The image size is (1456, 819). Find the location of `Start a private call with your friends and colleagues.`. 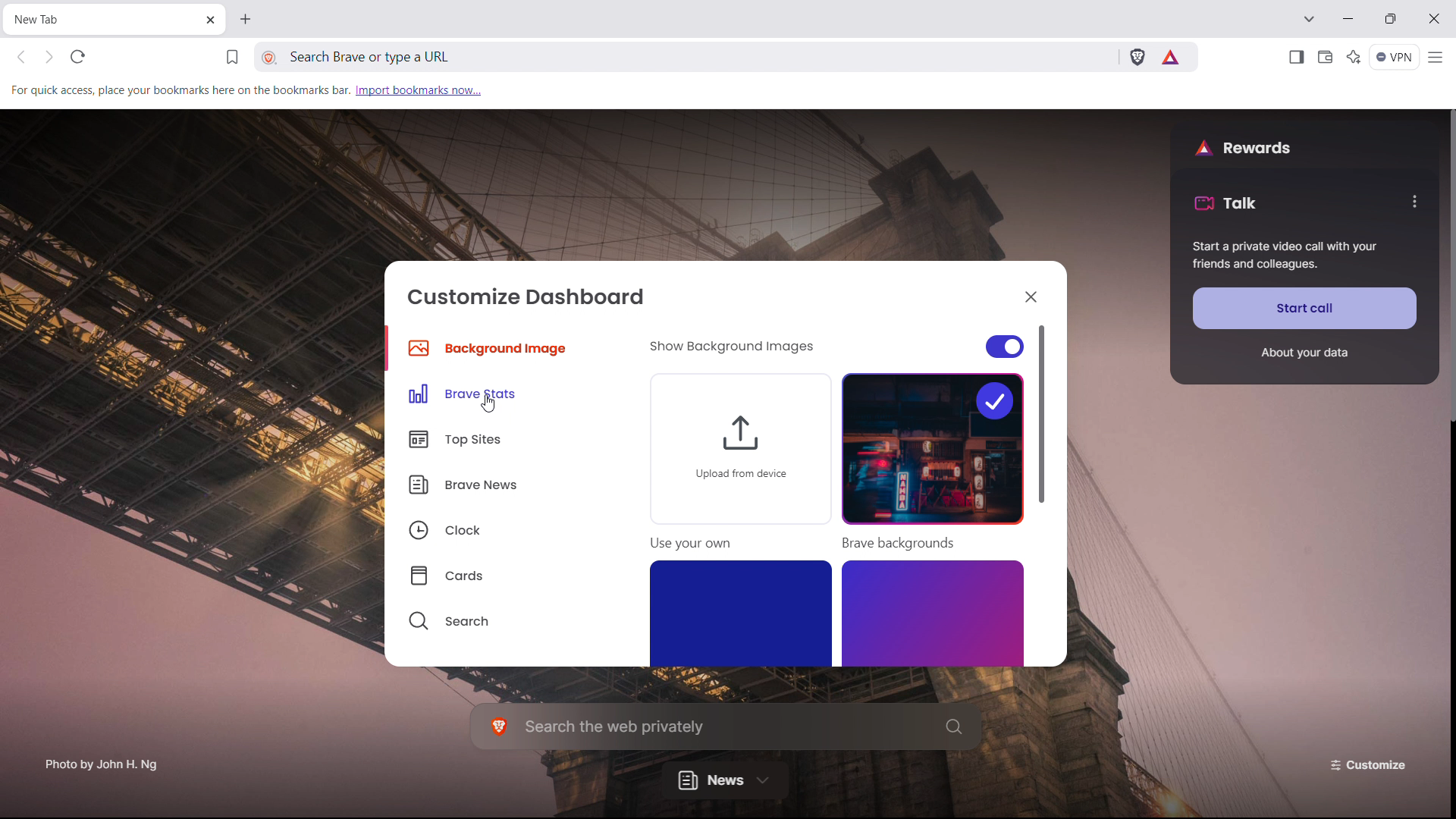

Start a private call with your friends and colleagues. is located at coordinates (1285, 256).